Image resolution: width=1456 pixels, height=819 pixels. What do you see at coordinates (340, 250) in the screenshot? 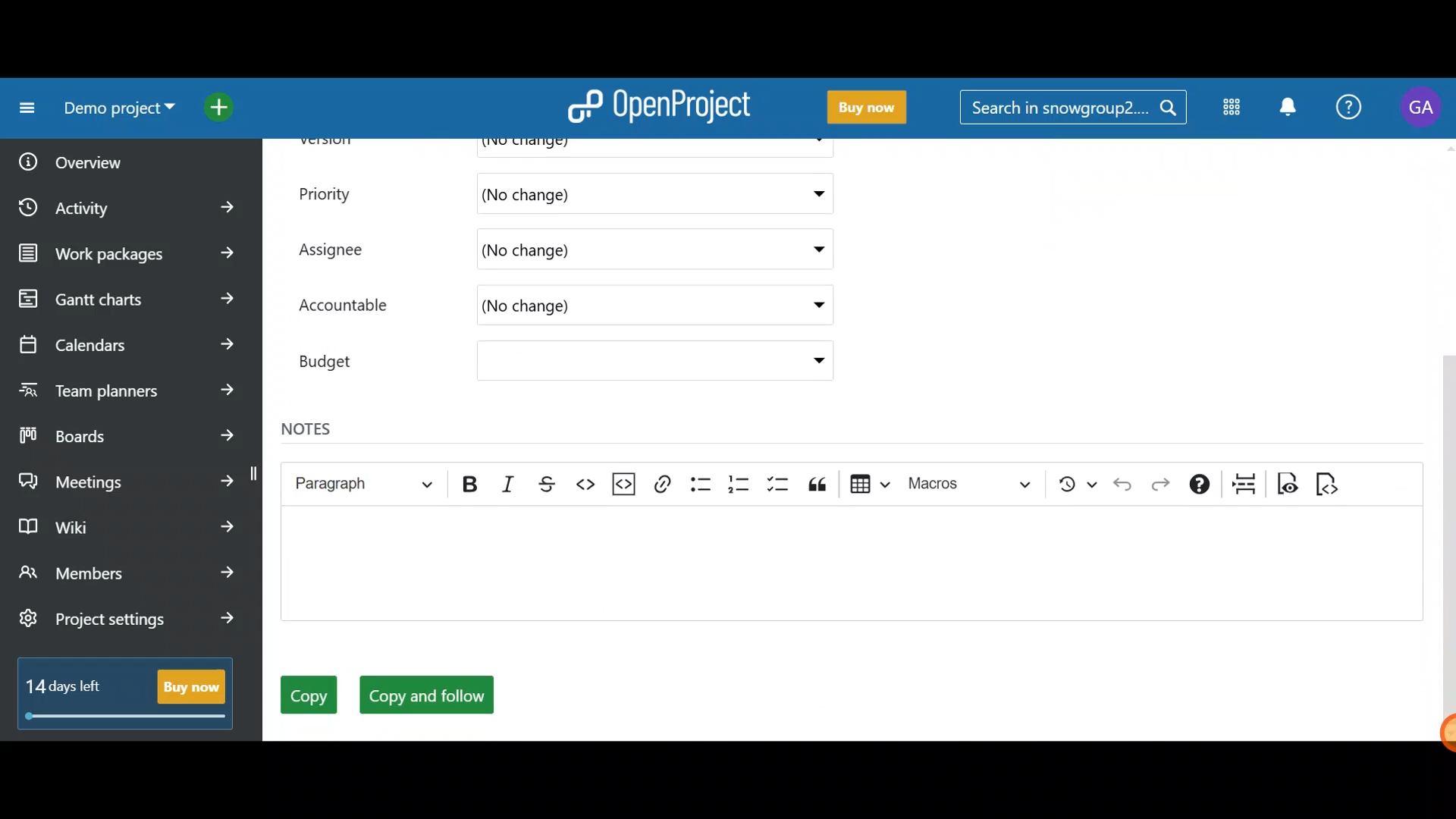
I see `Assignee` at bounding box center [340, 250].